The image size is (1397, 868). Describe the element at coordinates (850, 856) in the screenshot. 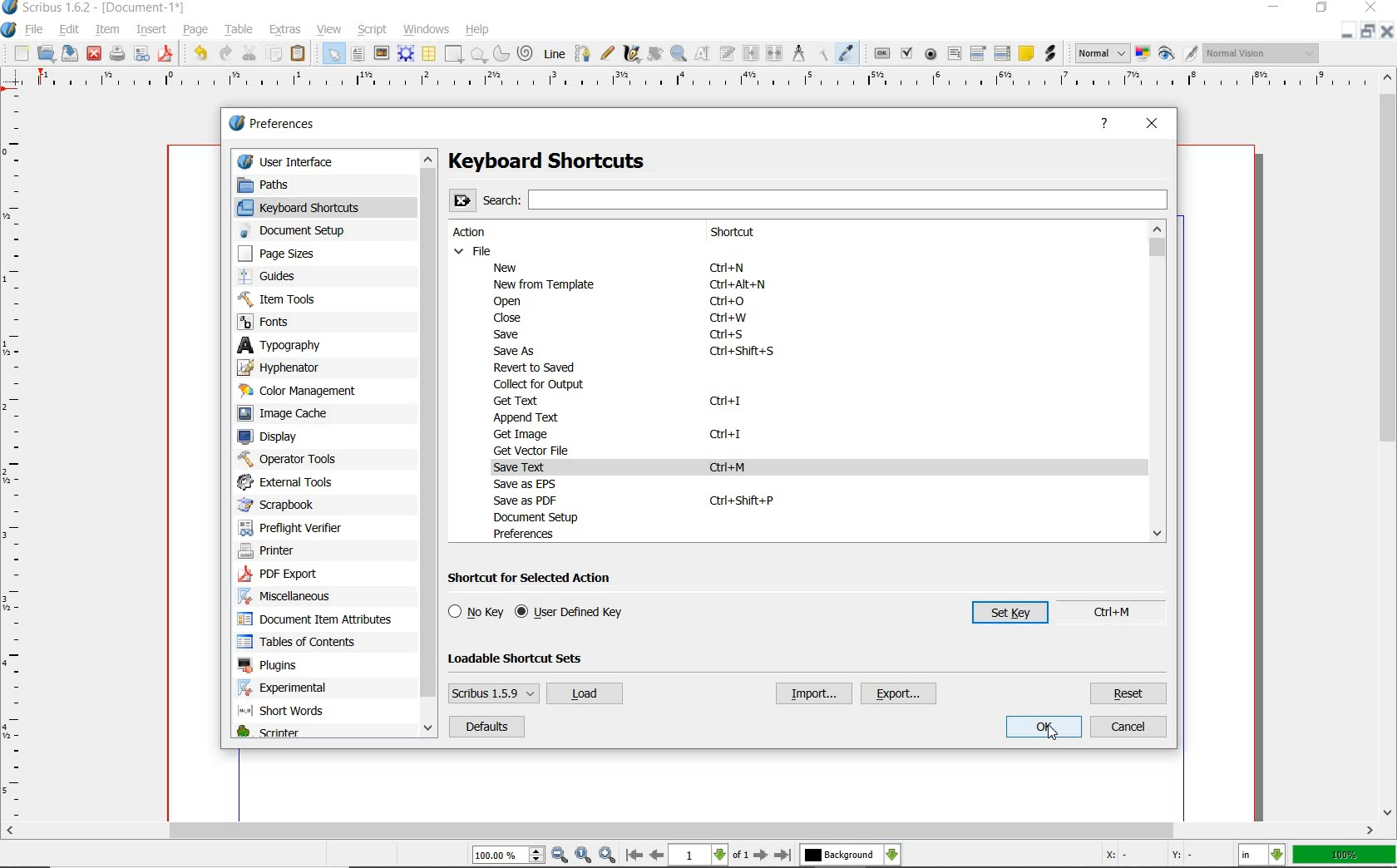

I see `select the current layer` at that location.